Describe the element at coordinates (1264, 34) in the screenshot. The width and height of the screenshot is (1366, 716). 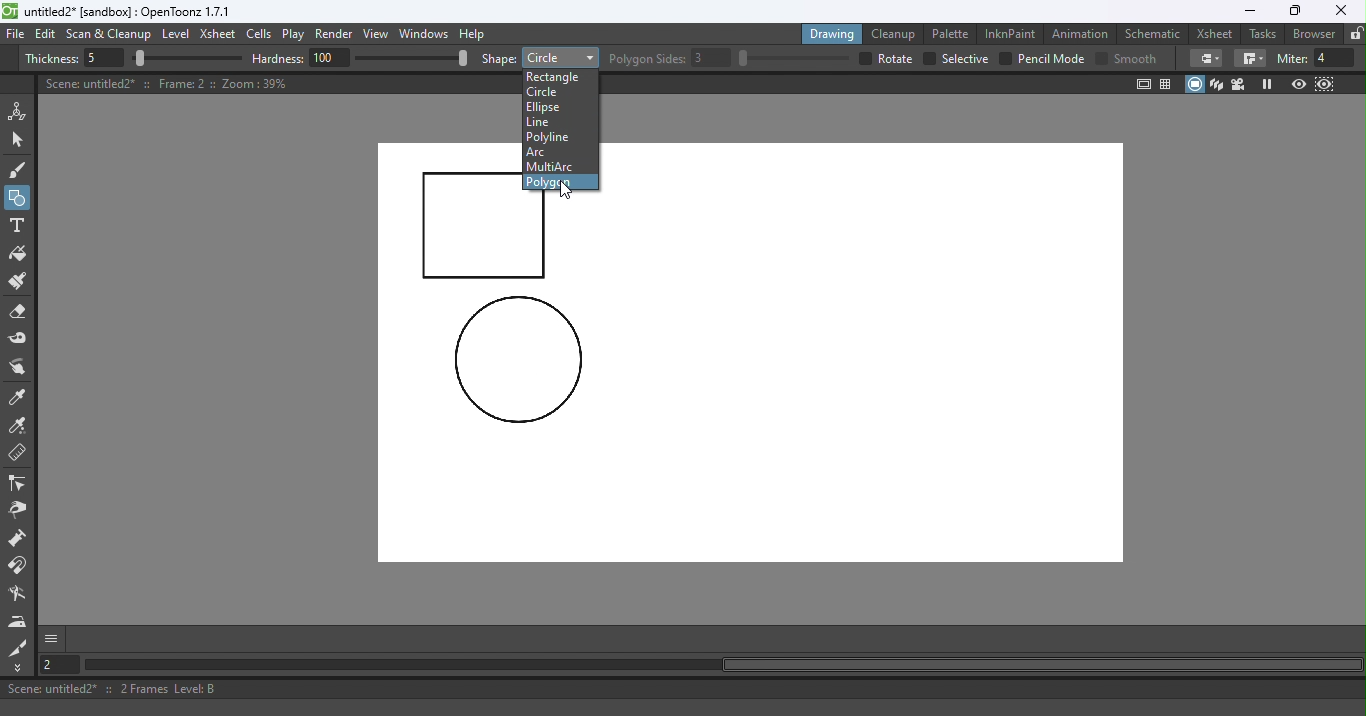
I see `Tasks` at that location.